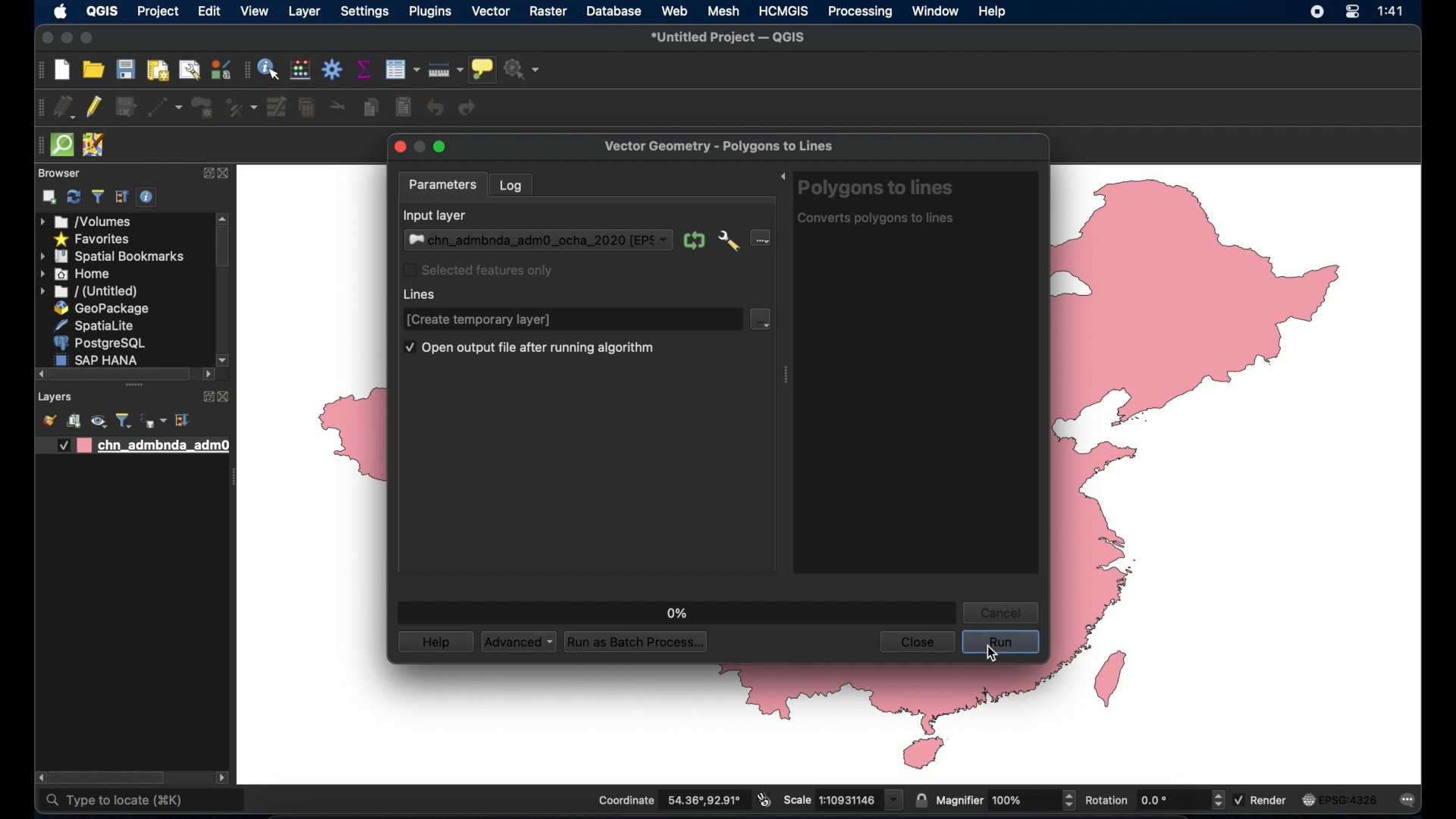  I want to click on toggle extents and mouse display position, so click(764, 799).